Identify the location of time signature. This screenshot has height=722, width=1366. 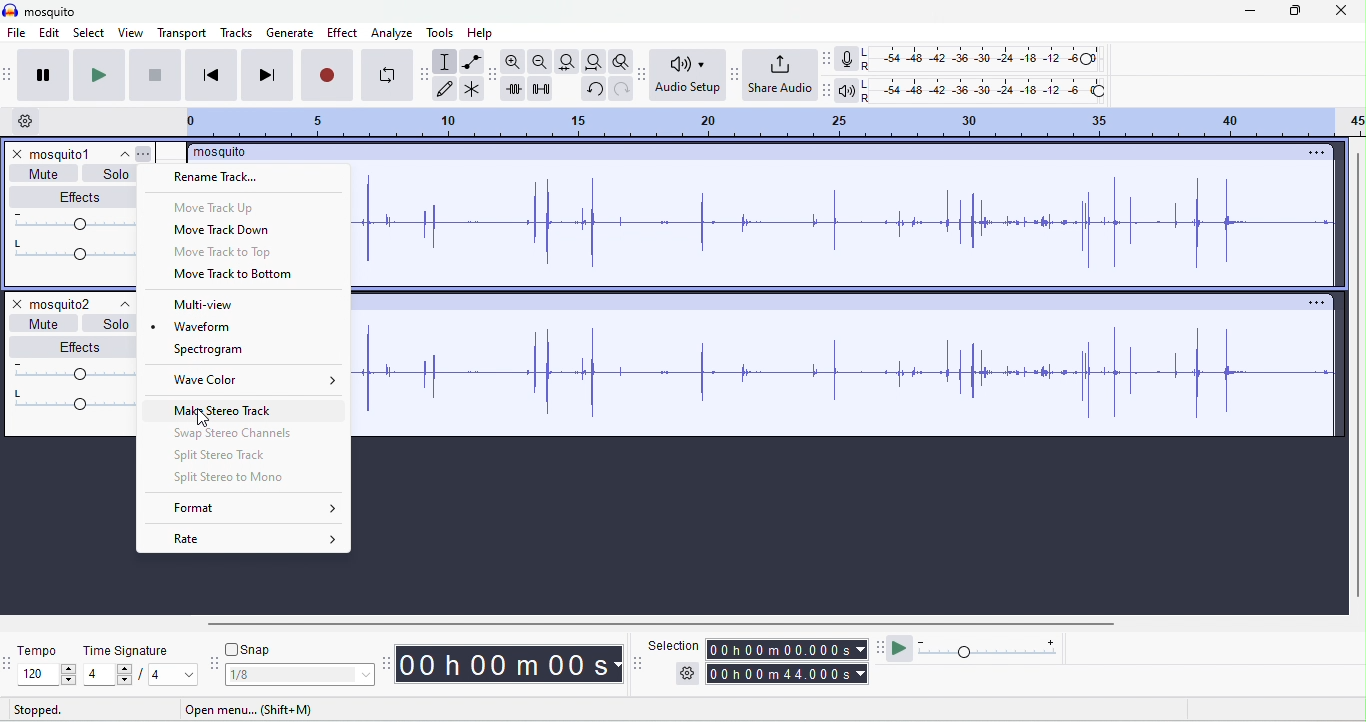
(127, 650).